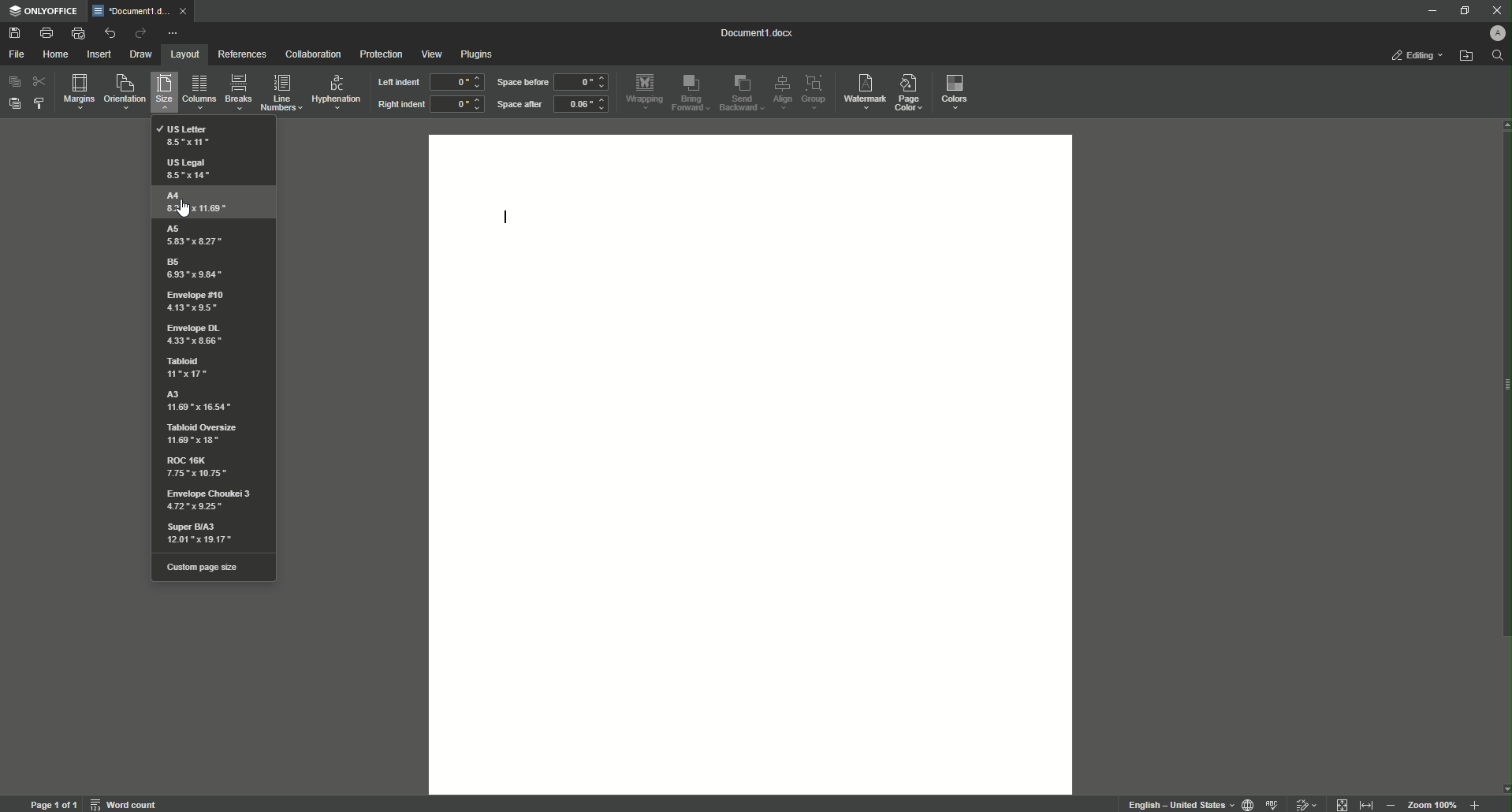 This screenshot has width=1512, height=812. I want to click on Envelope, so click(197, 301).